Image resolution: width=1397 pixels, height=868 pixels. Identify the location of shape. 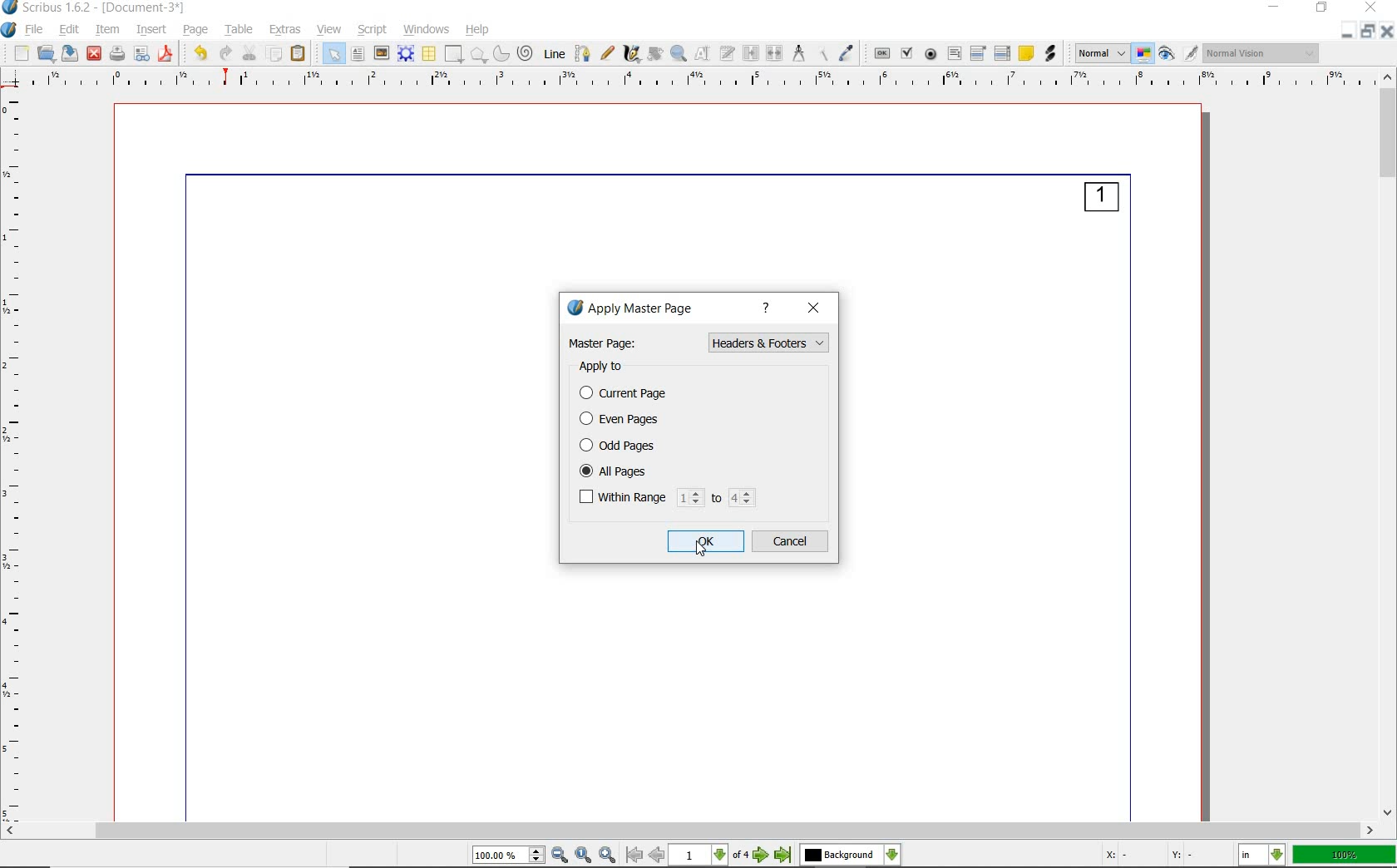
(454, 54).